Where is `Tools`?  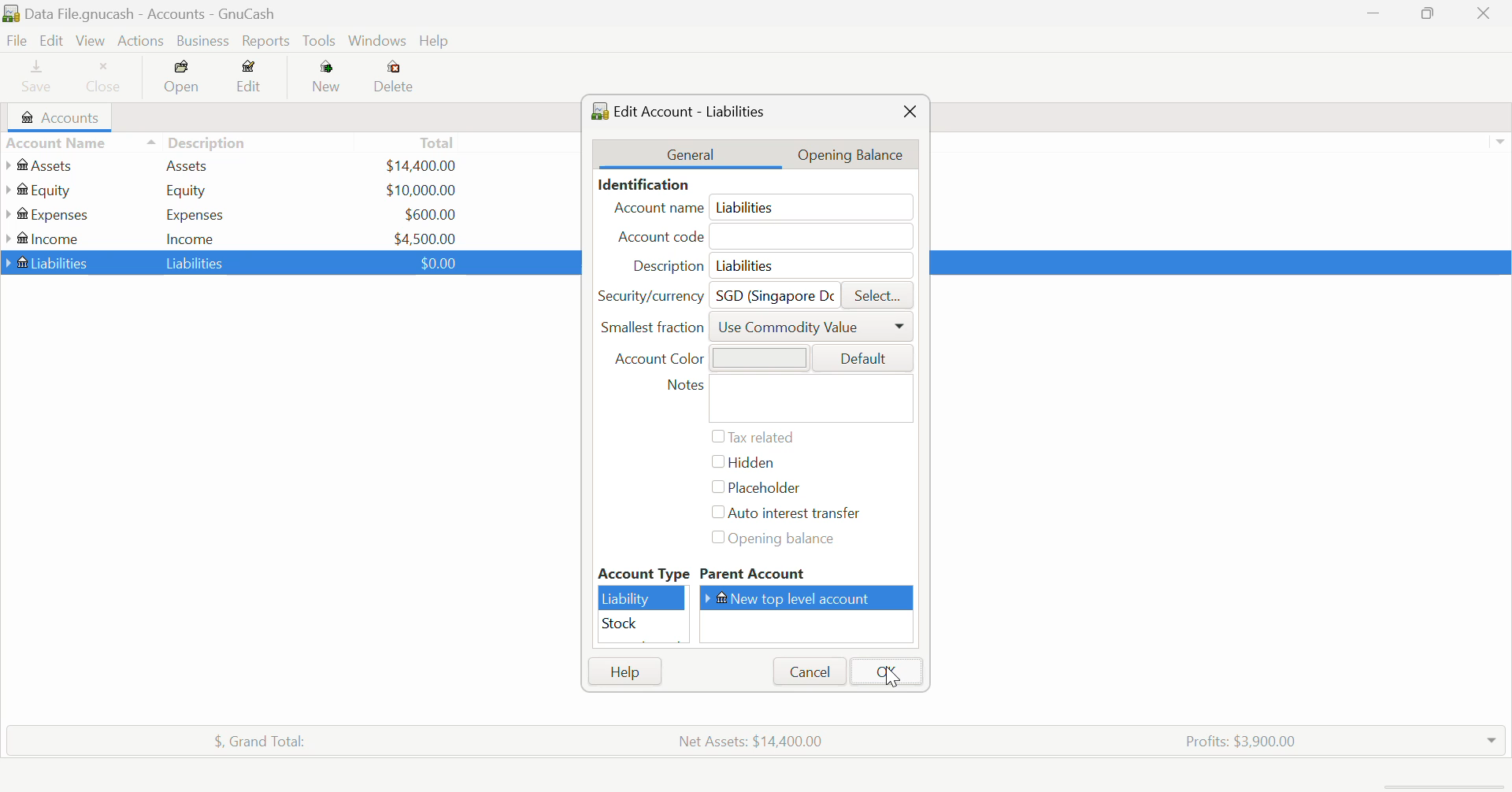
Tools is located at coordinates (321, 42).